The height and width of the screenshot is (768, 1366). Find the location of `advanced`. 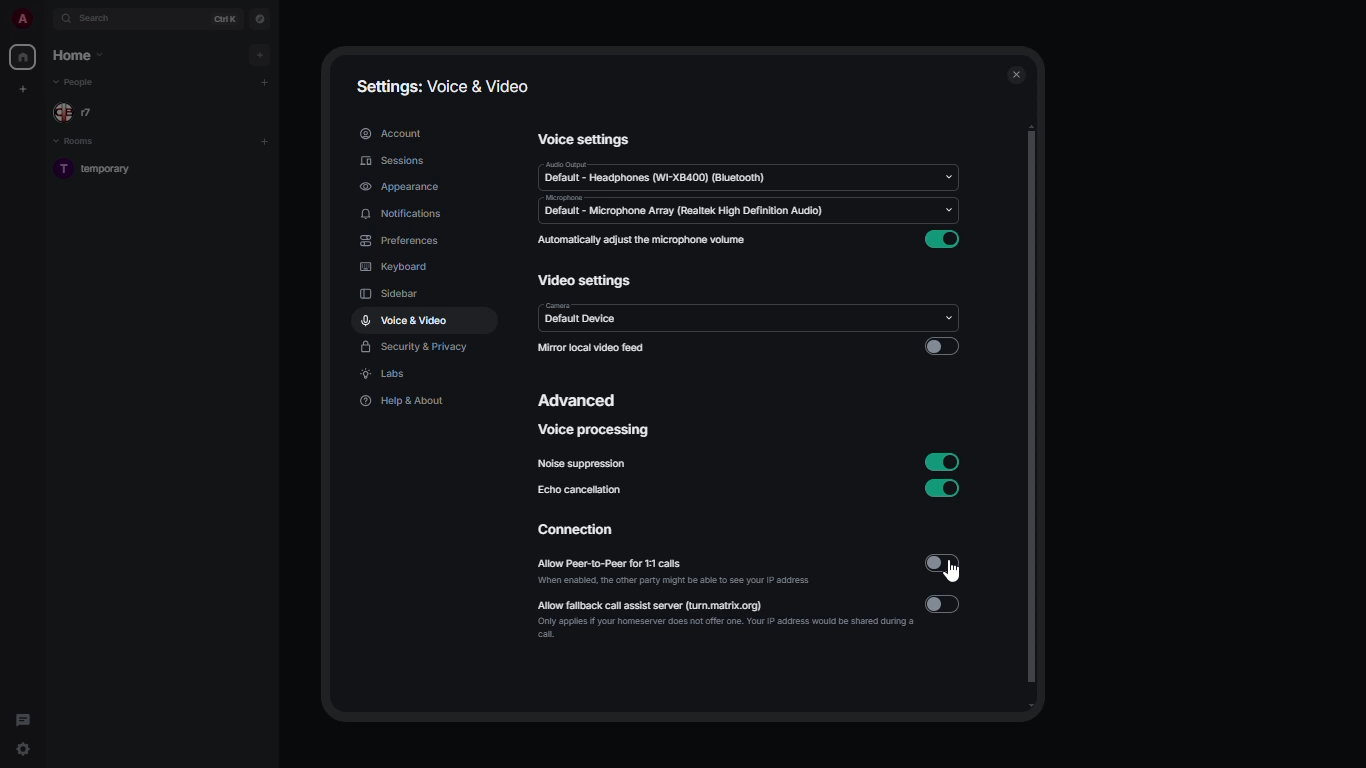

advanced is located at coordinates (581, 400).